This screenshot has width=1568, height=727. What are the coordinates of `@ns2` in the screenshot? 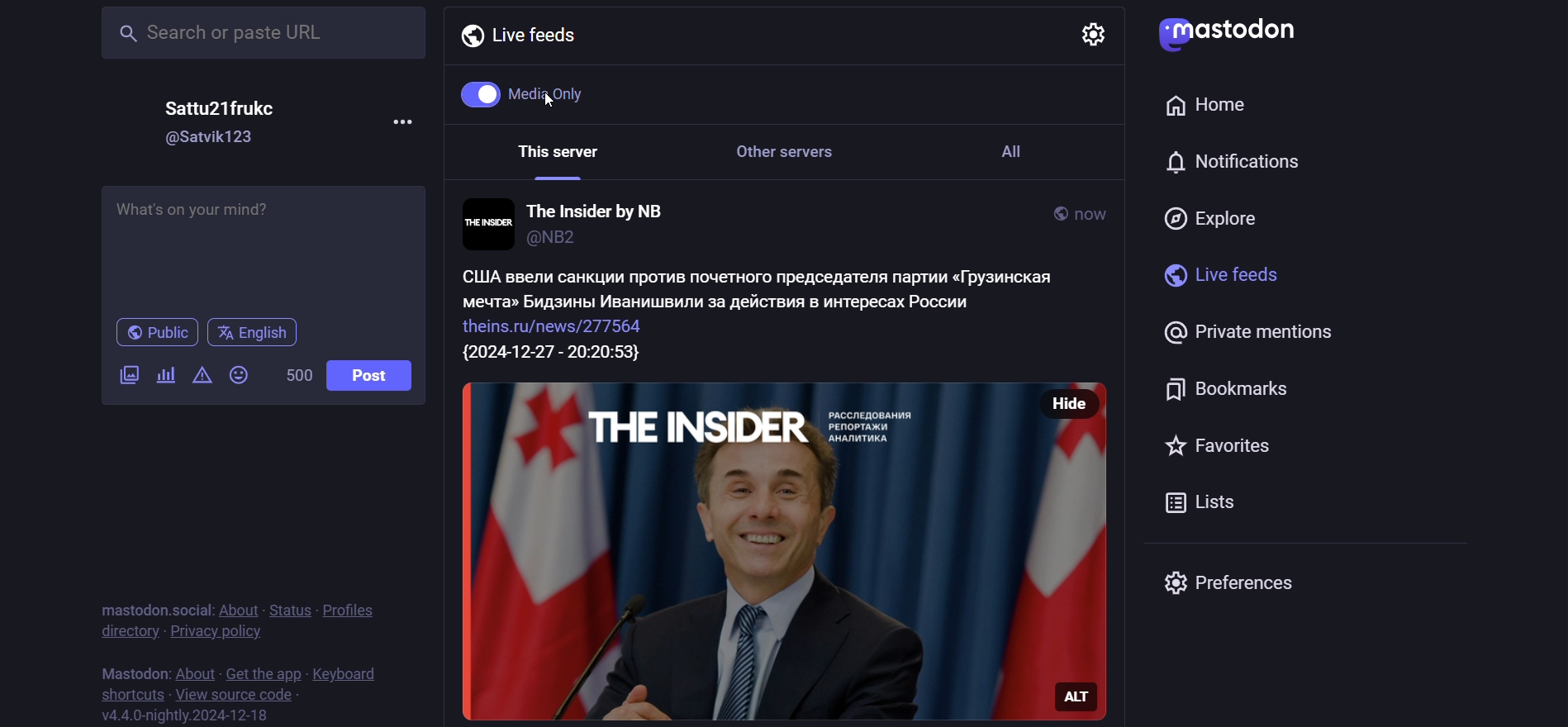 It's located at (570, 240).